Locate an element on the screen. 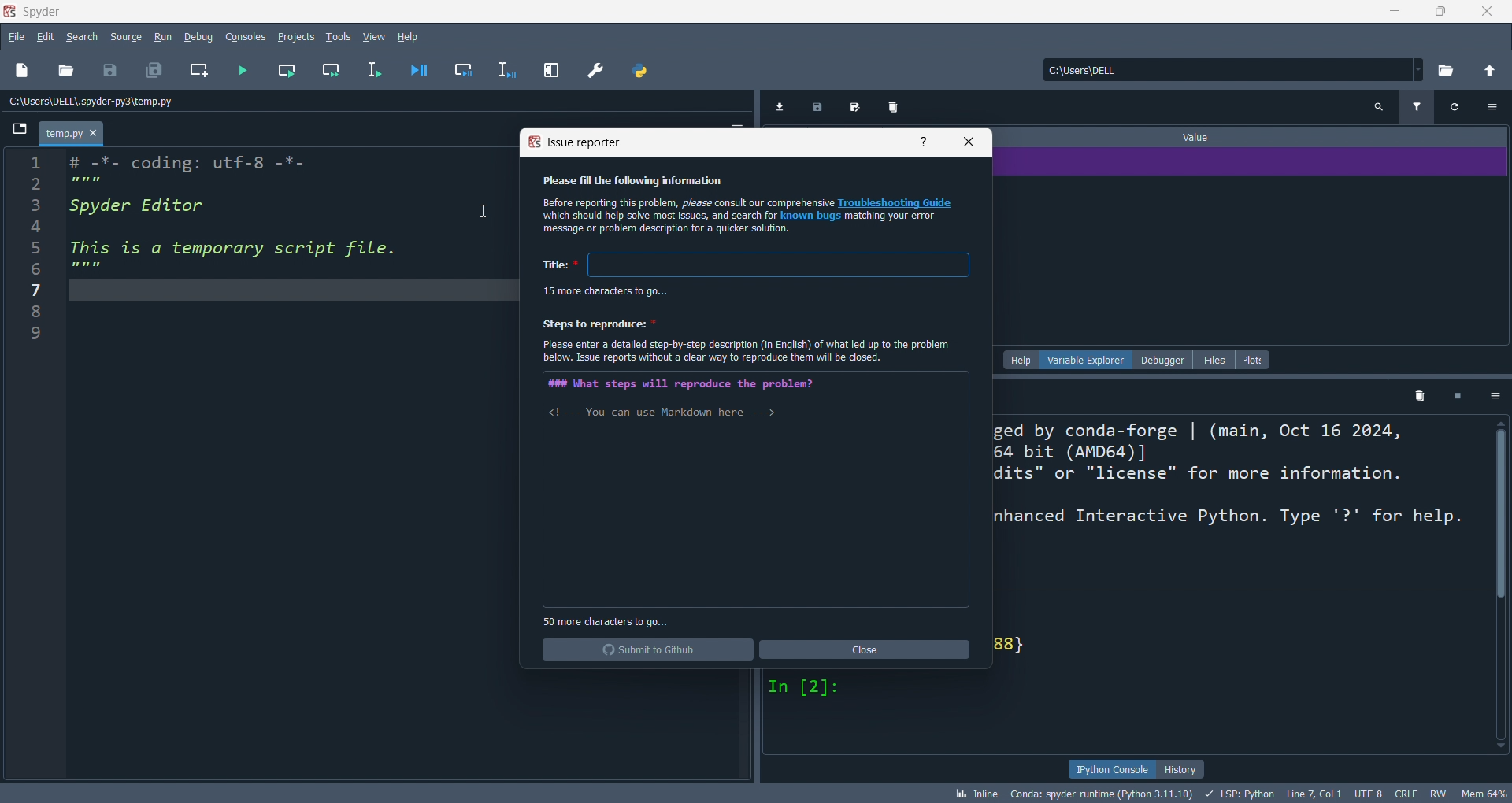  plots is located at coordinates (1255, 361).